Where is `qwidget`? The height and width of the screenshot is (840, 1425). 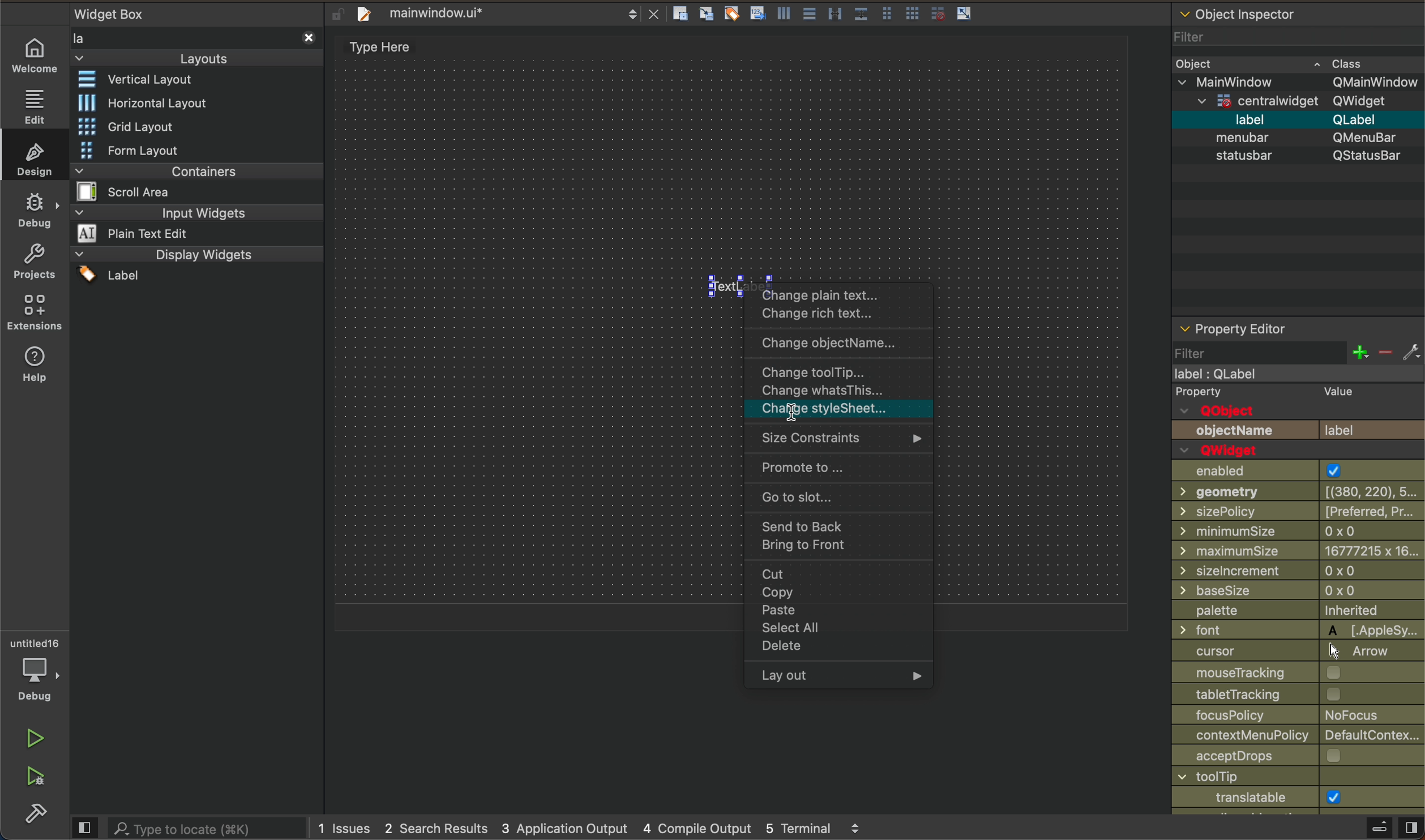 qwidget is located at coordinates (1230, 451).